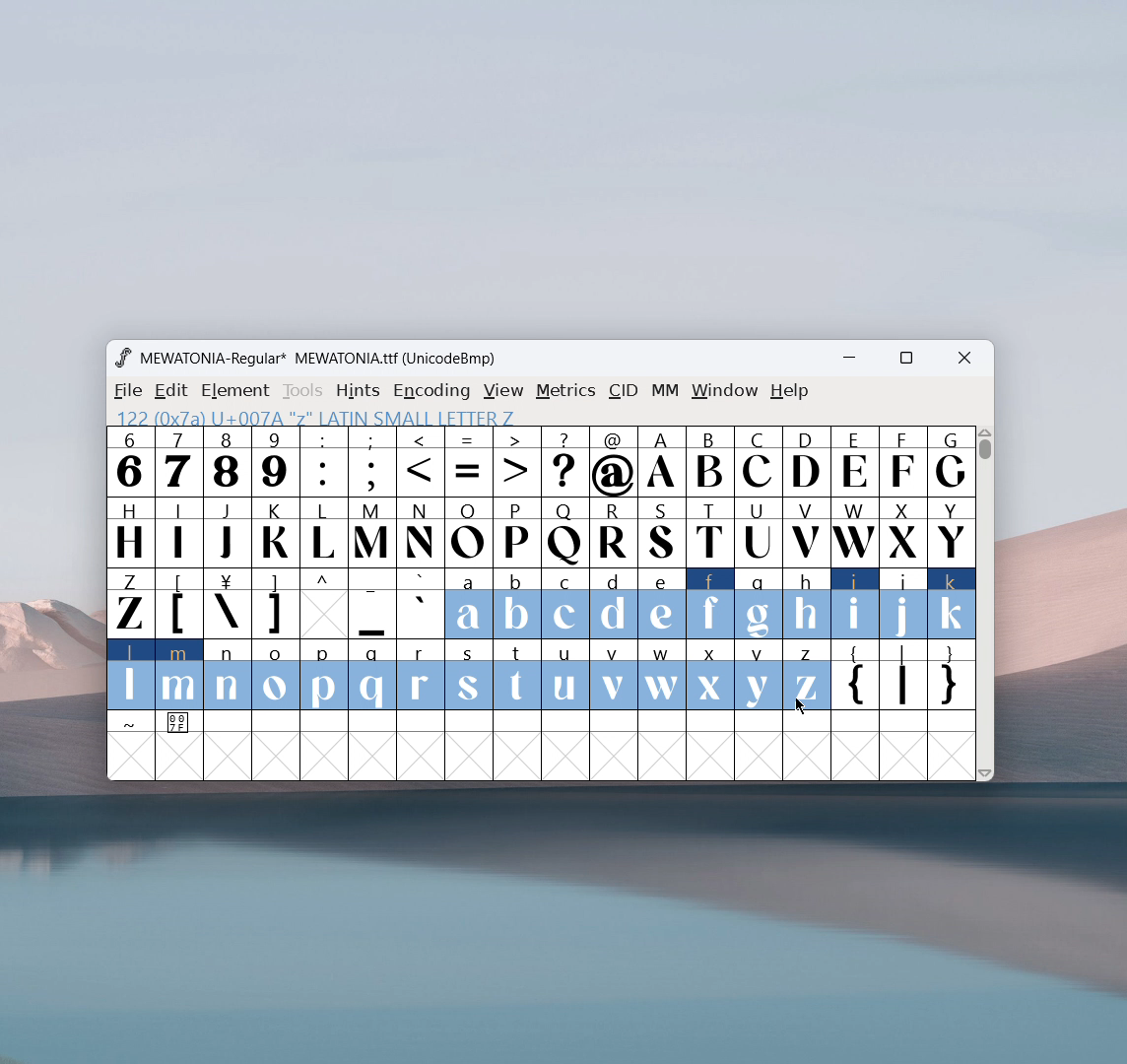  Describe the element at coordinates (904, 604) in the screenshot. I see `j` at that location.